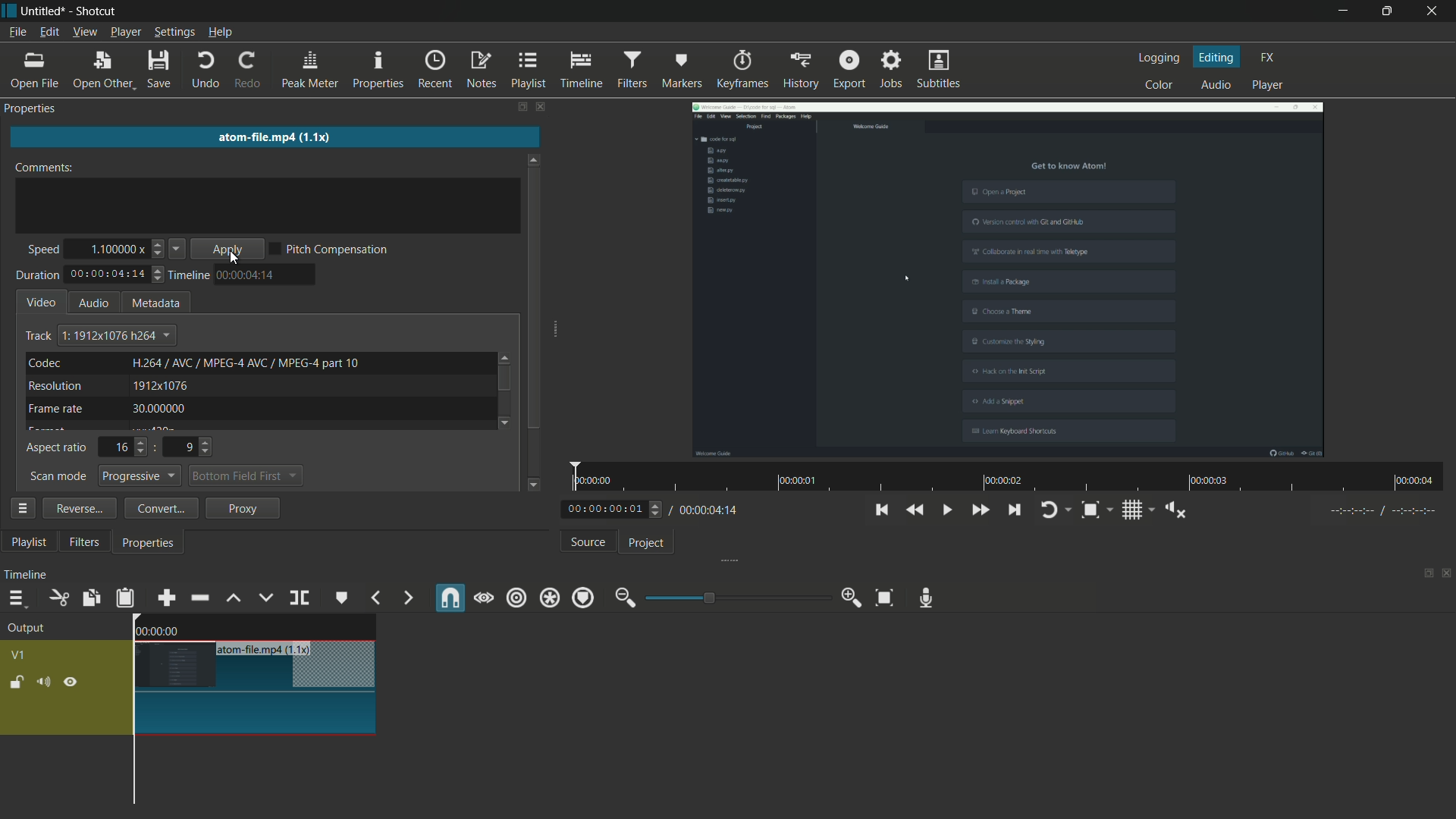 The image size is (1456, 819). What do you see at coordinates (534, 300) in the screenshot?
I see `scroll bar` at bounding box center [534, 300].